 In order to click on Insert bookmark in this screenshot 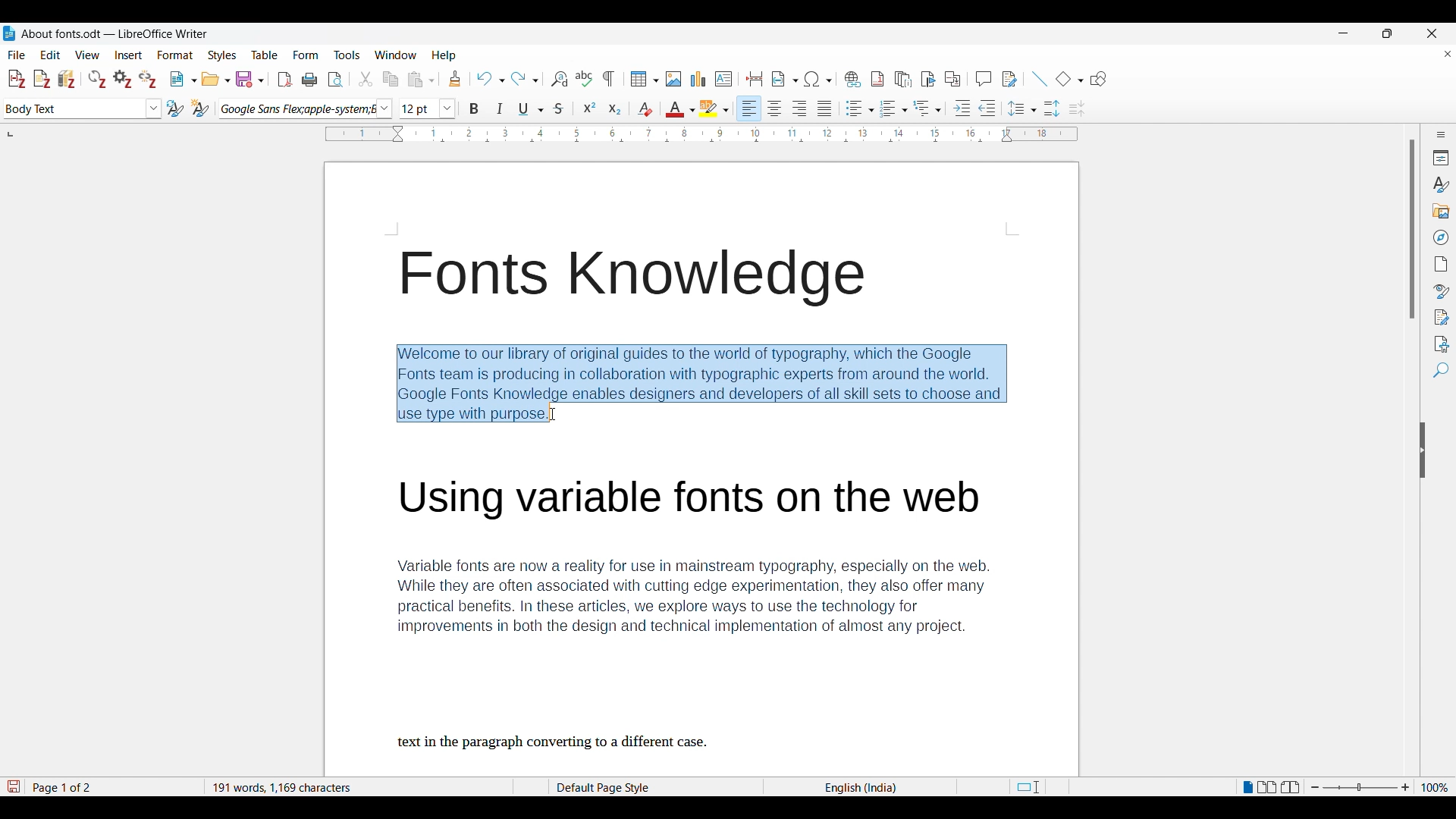, I will do `click(928, 80)`.